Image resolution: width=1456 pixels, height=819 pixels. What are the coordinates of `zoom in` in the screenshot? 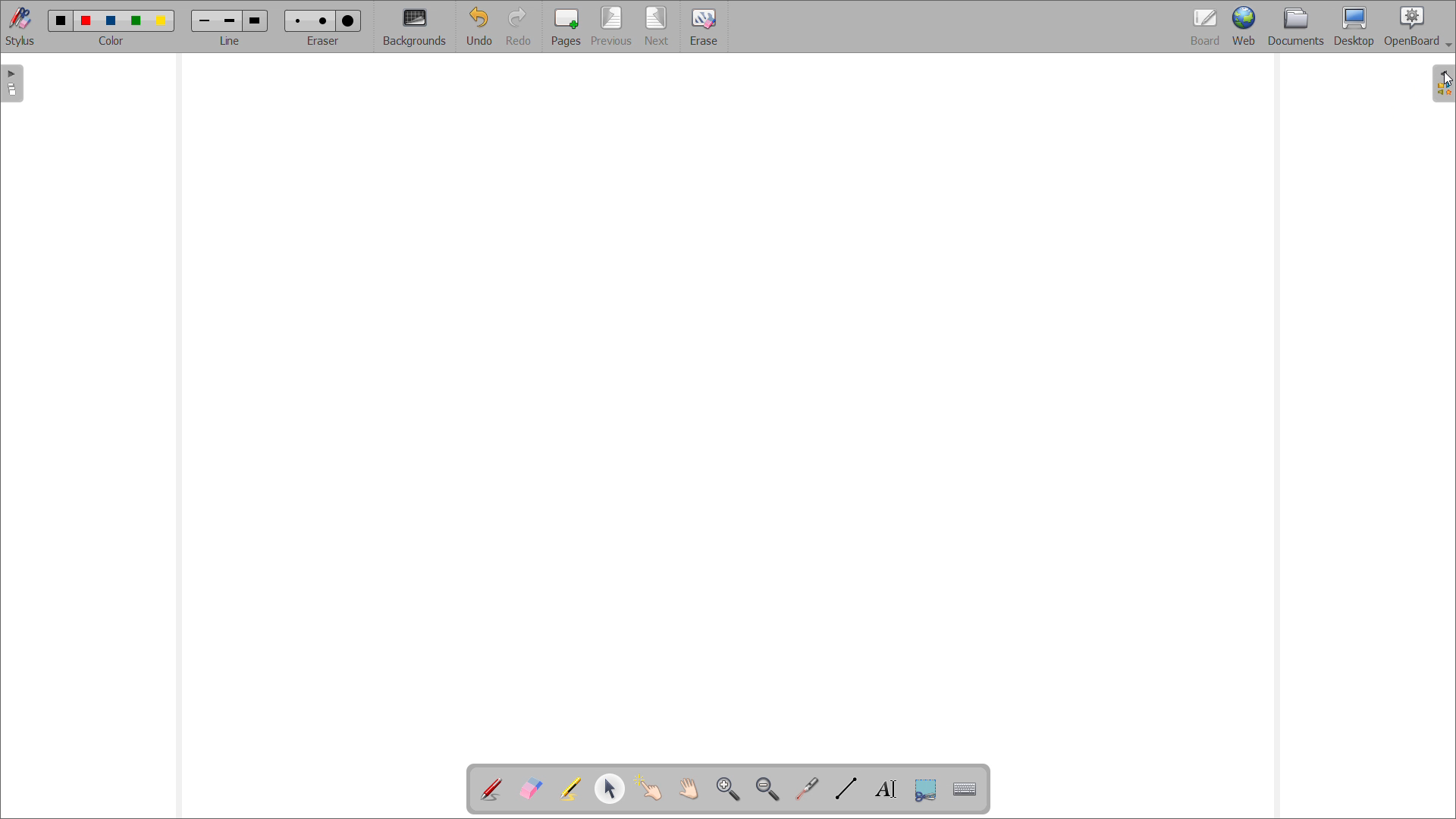 It's located at (728, 788).